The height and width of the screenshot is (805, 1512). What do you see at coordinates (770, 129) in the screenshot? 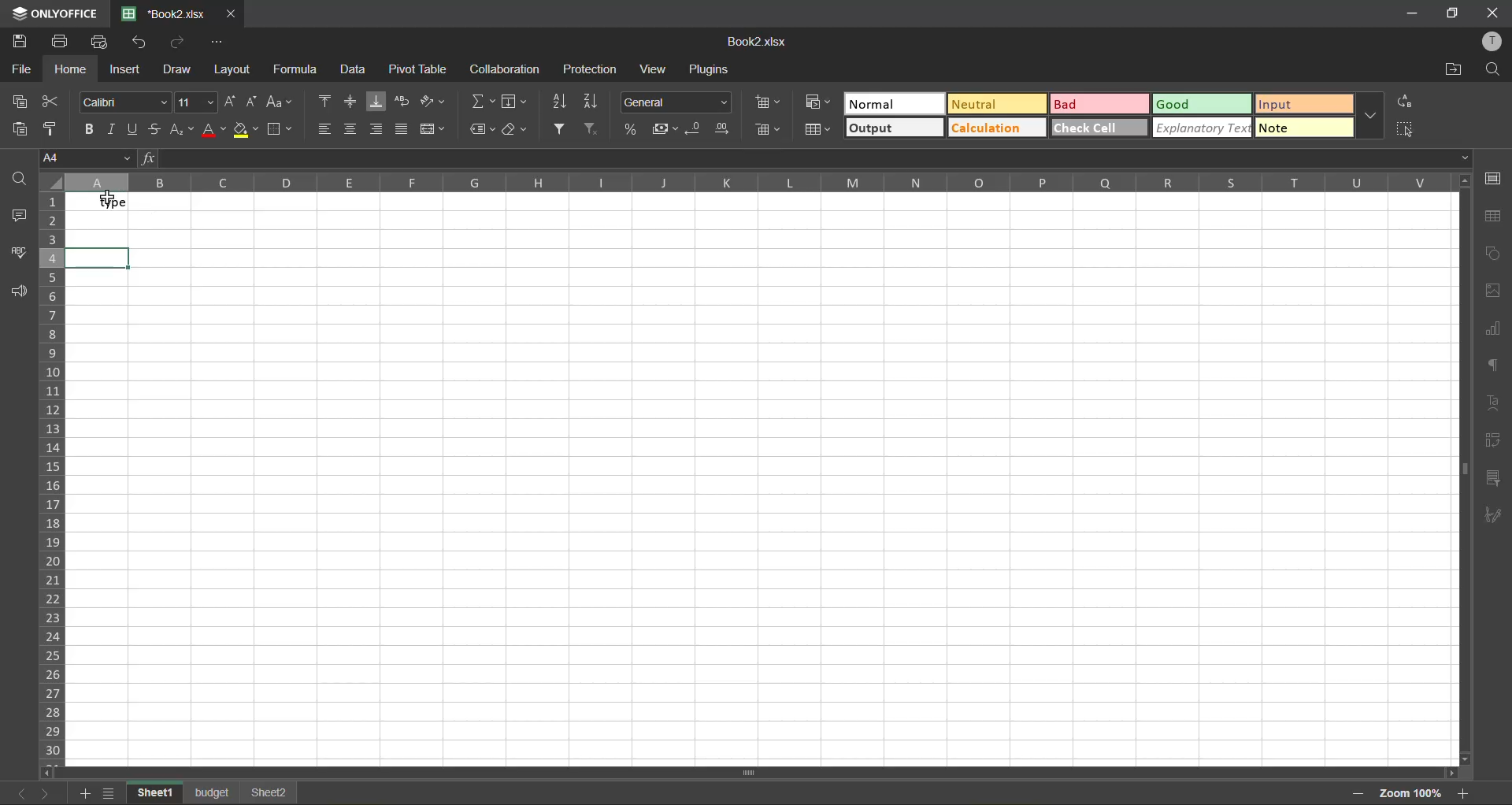
I see `delete cells` at bounding box center [770, 129].